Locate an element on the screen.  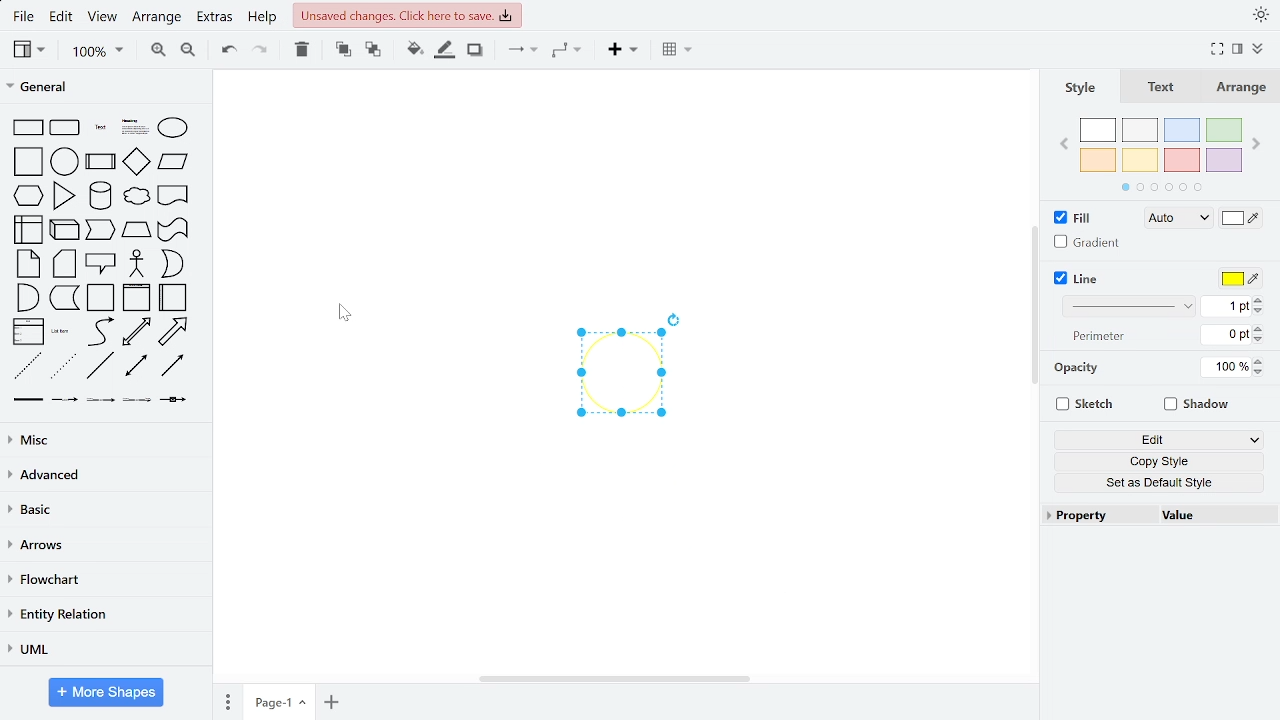
advanced is located at coordinates (104, 475).